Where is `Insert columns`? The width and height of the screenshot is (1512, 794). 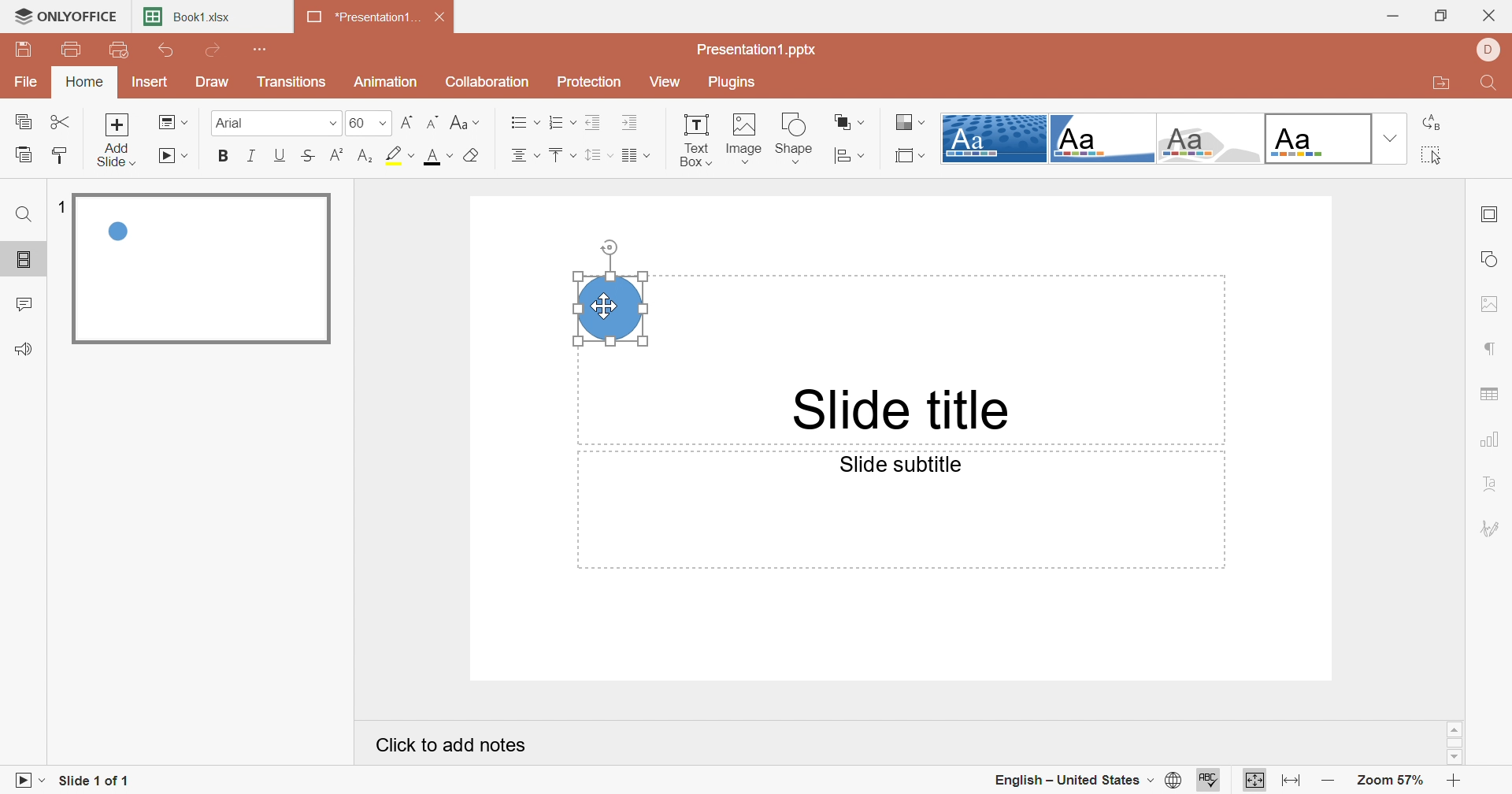
Insert columns is located at coordinates (636, 157).